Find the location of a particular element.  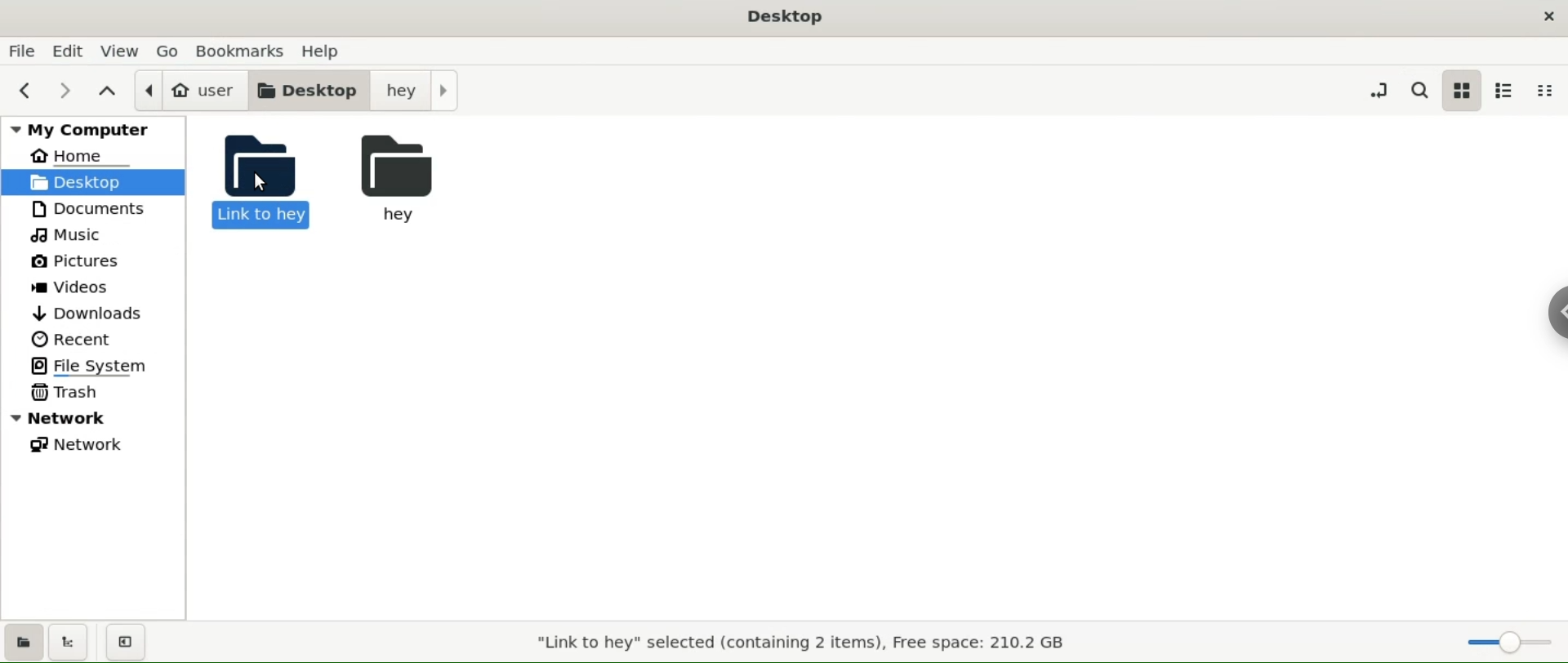

downloads is located at coordinates (94, 315).